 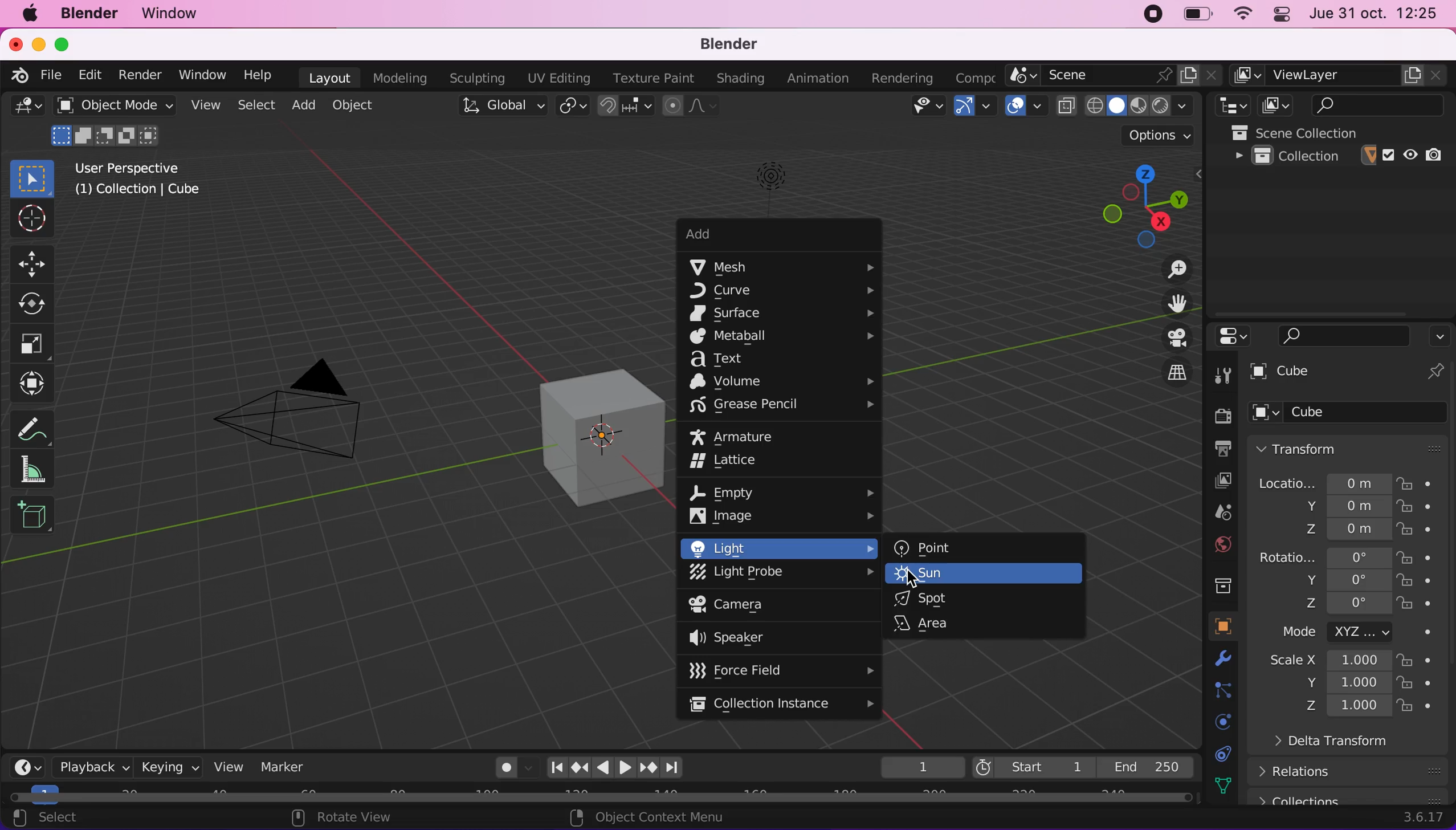 I want to click on scene, so click(x=1213, y=514).